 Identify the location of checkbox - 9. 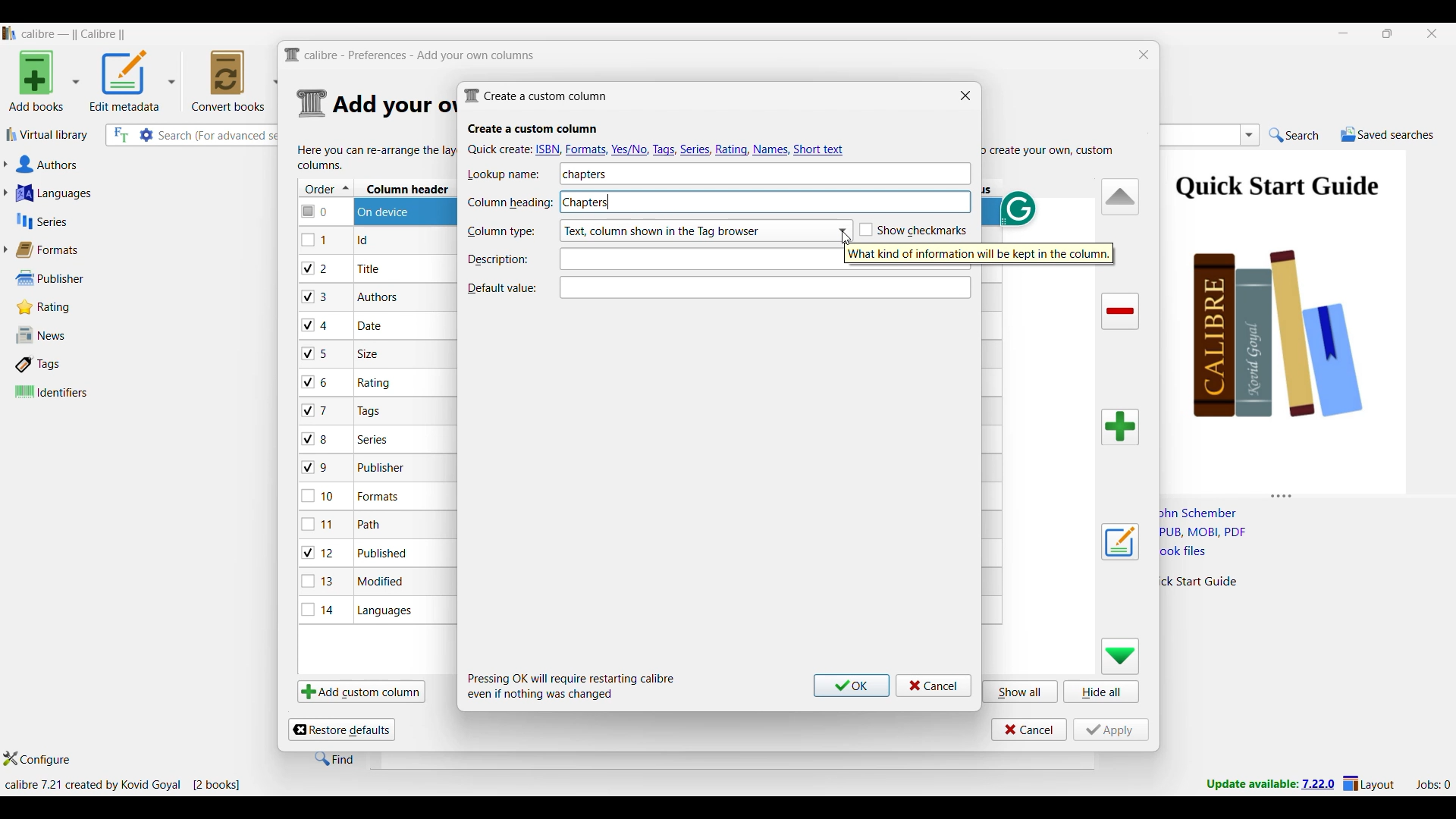
(315, 468).